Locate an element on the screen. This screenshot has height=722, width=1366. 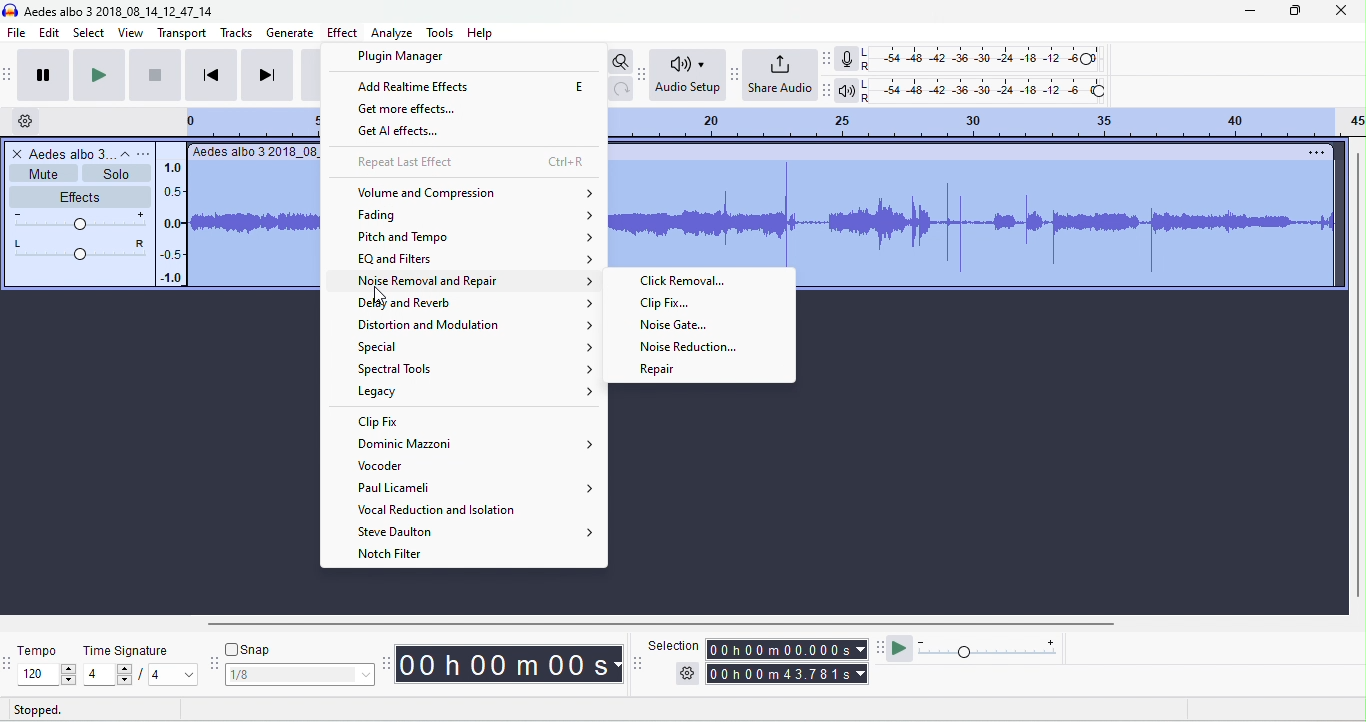
get AI effects is located at coordinates (414, 133).